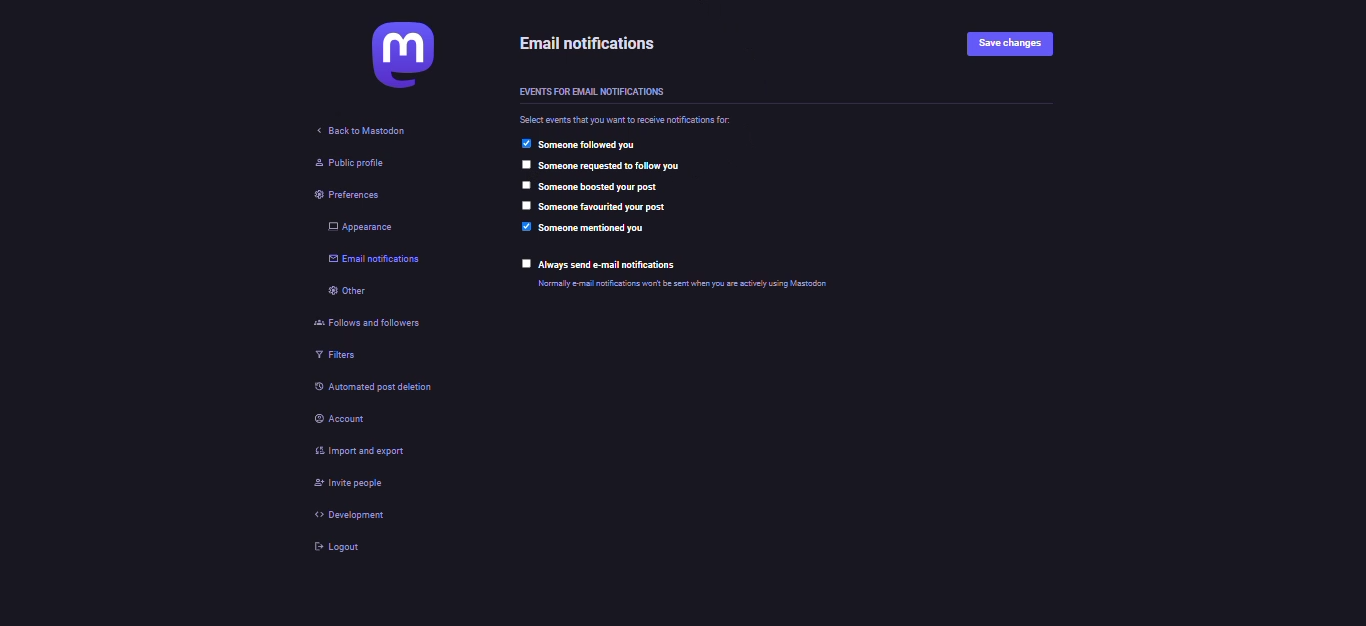 The image size is (1366, 626). What do you see at coordinates (339, 420) in the screenshot?
I see `account` at bounding box center [339, 420].